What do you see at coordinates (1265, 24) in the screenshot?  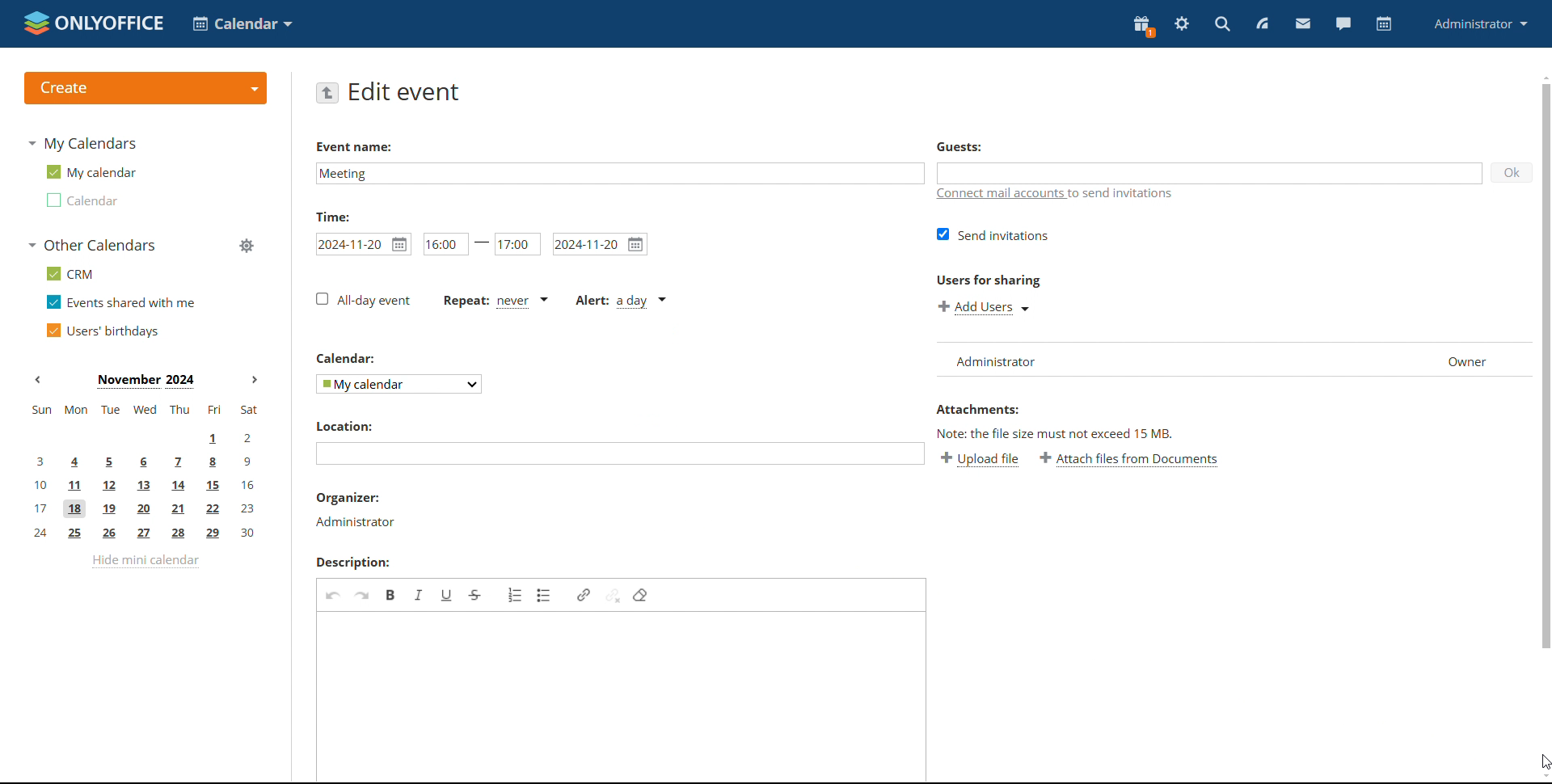 I see `feed` at bounding box center [1265, 24].